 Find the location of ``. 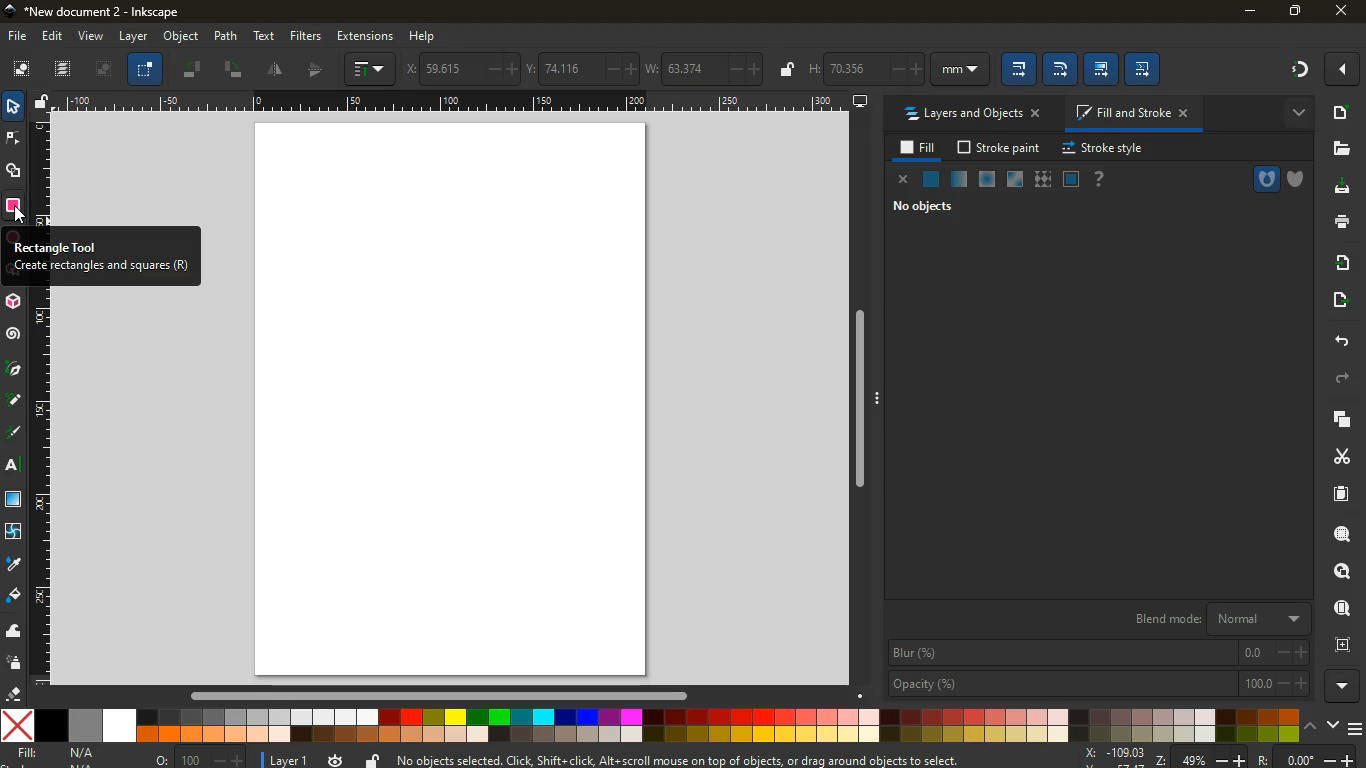

 is located at coordinates (440, 695).